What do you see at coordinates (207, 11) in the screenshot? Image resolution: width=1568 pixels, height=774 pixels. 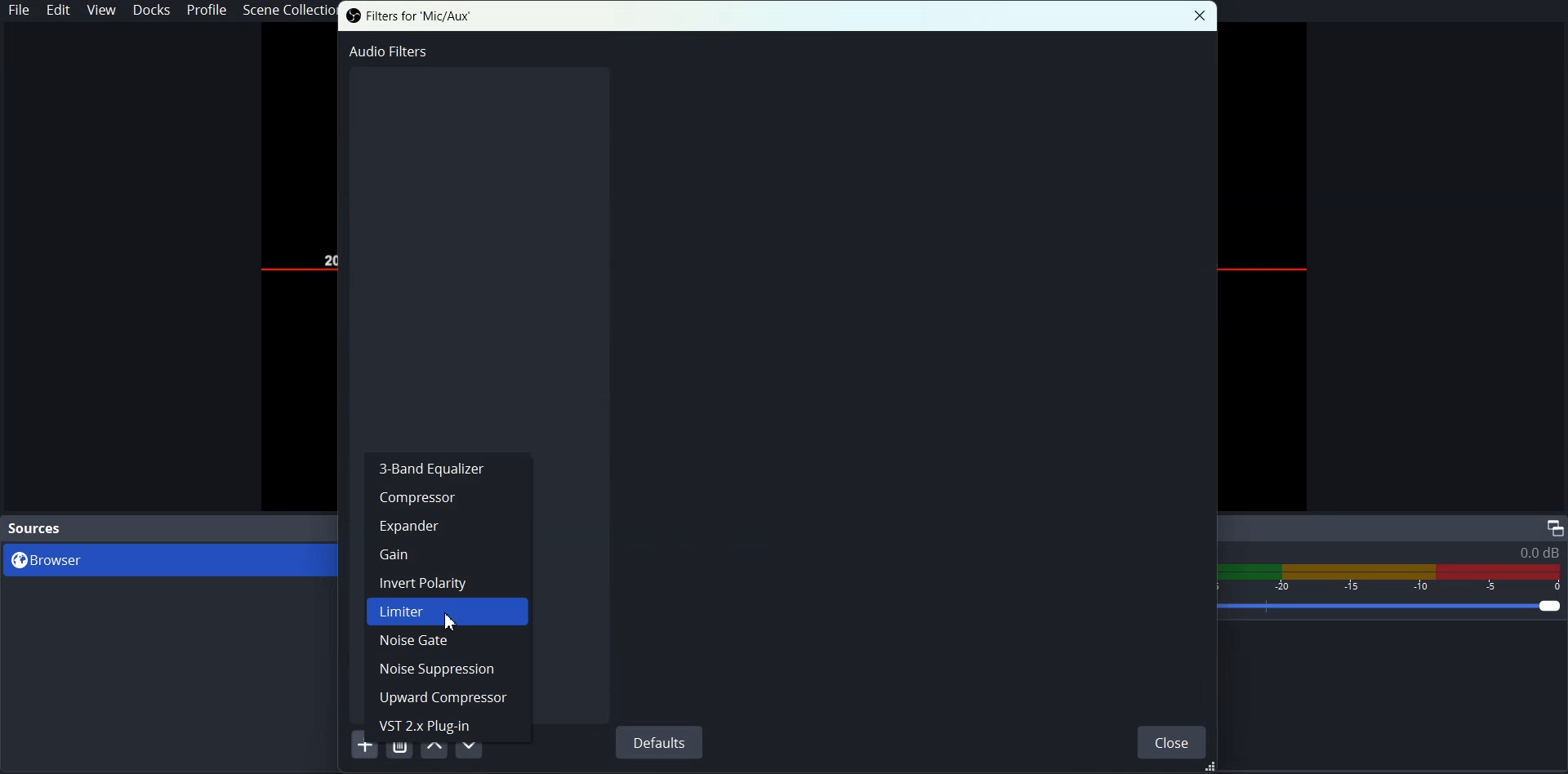 I see `Profile` at bounding box center [207, 11].